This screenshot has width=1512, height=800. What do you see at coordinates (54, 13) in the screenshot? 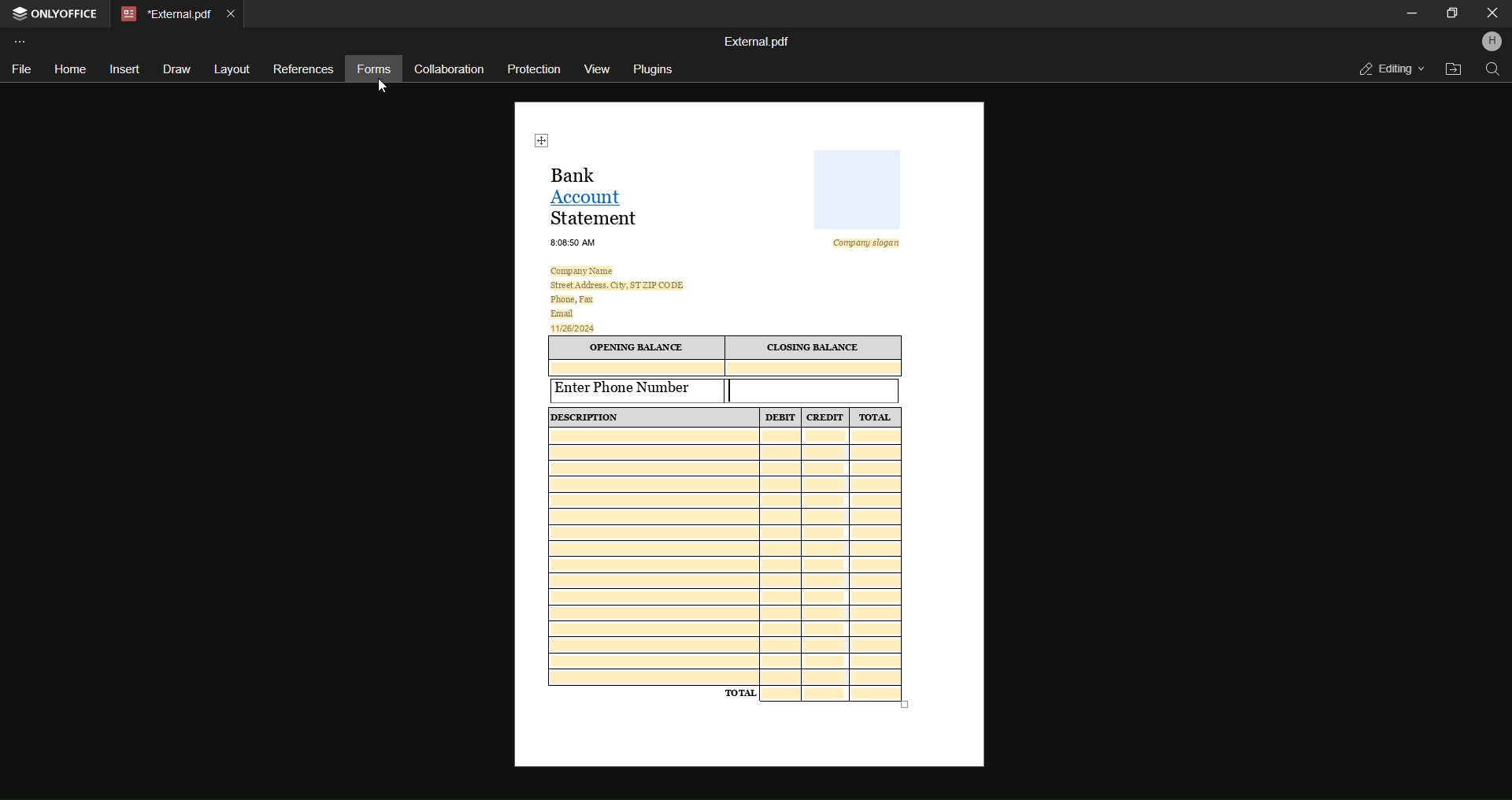
I see `ONLYOFFICE application name` at bounding box center [54, 13].